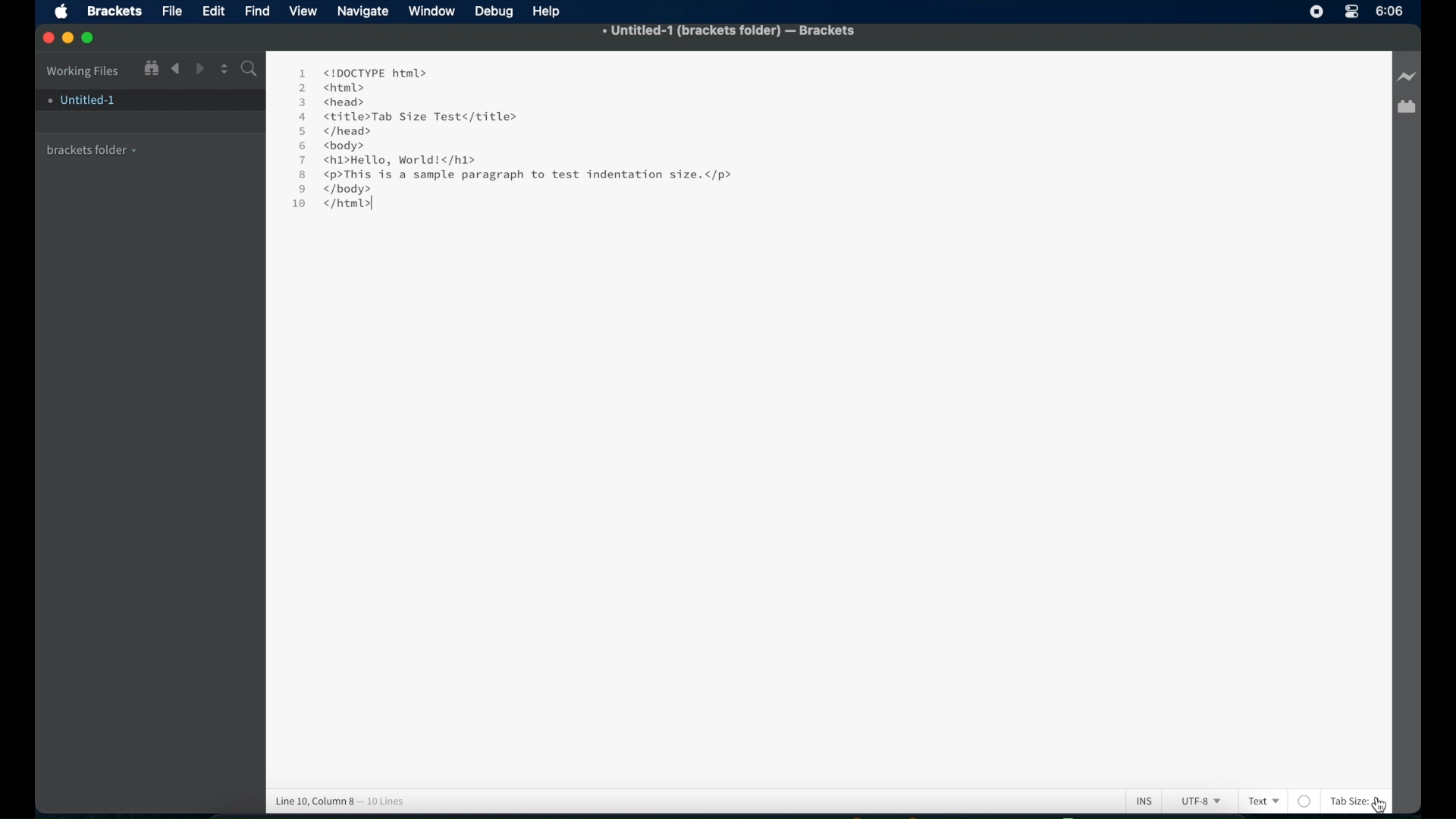  I want to click on . Untitled-1 (brackets folder) - Brackets, so click(730, 32).